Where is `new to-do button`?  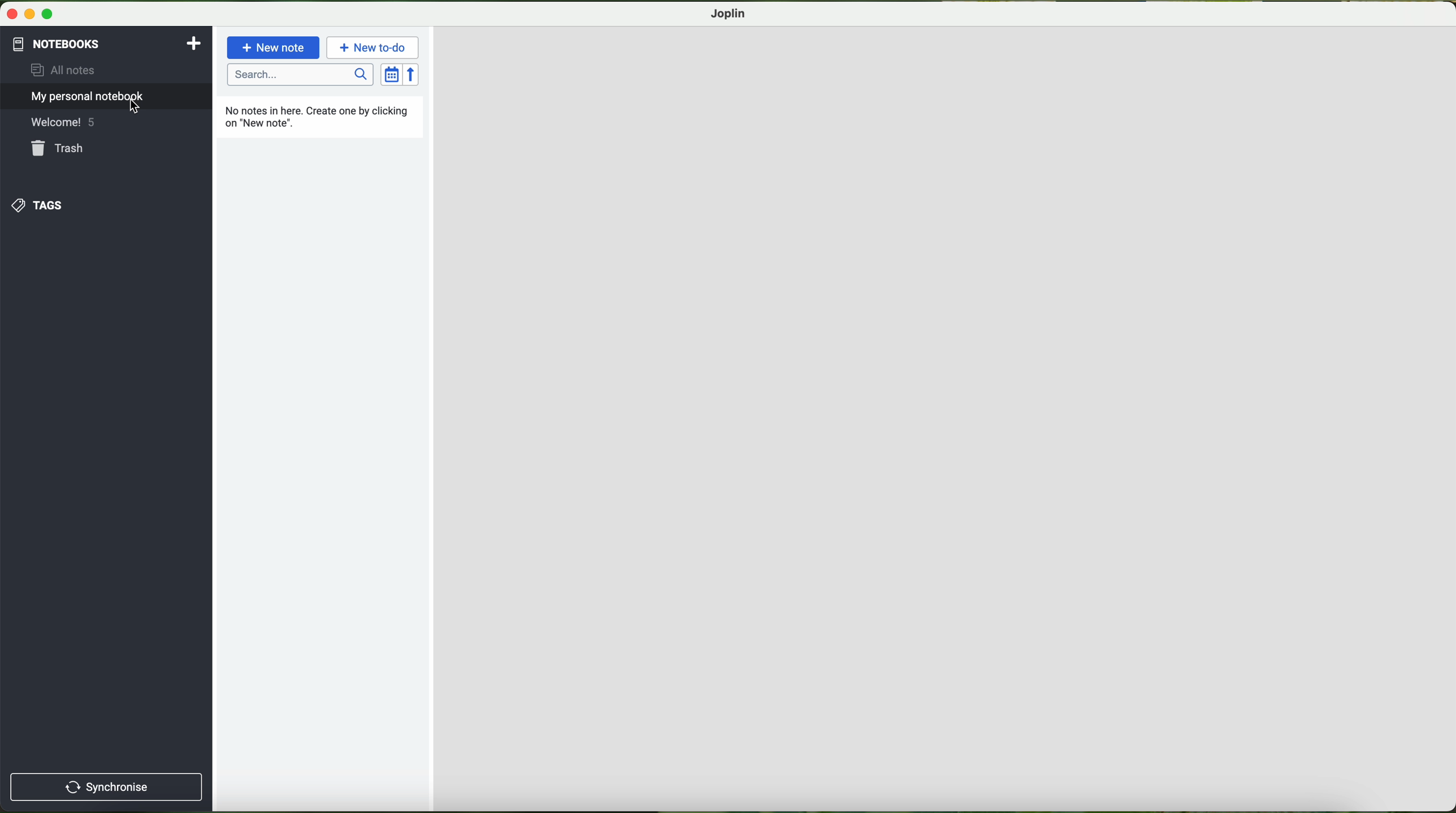 new to-do button is located at coordinates (374, 47).